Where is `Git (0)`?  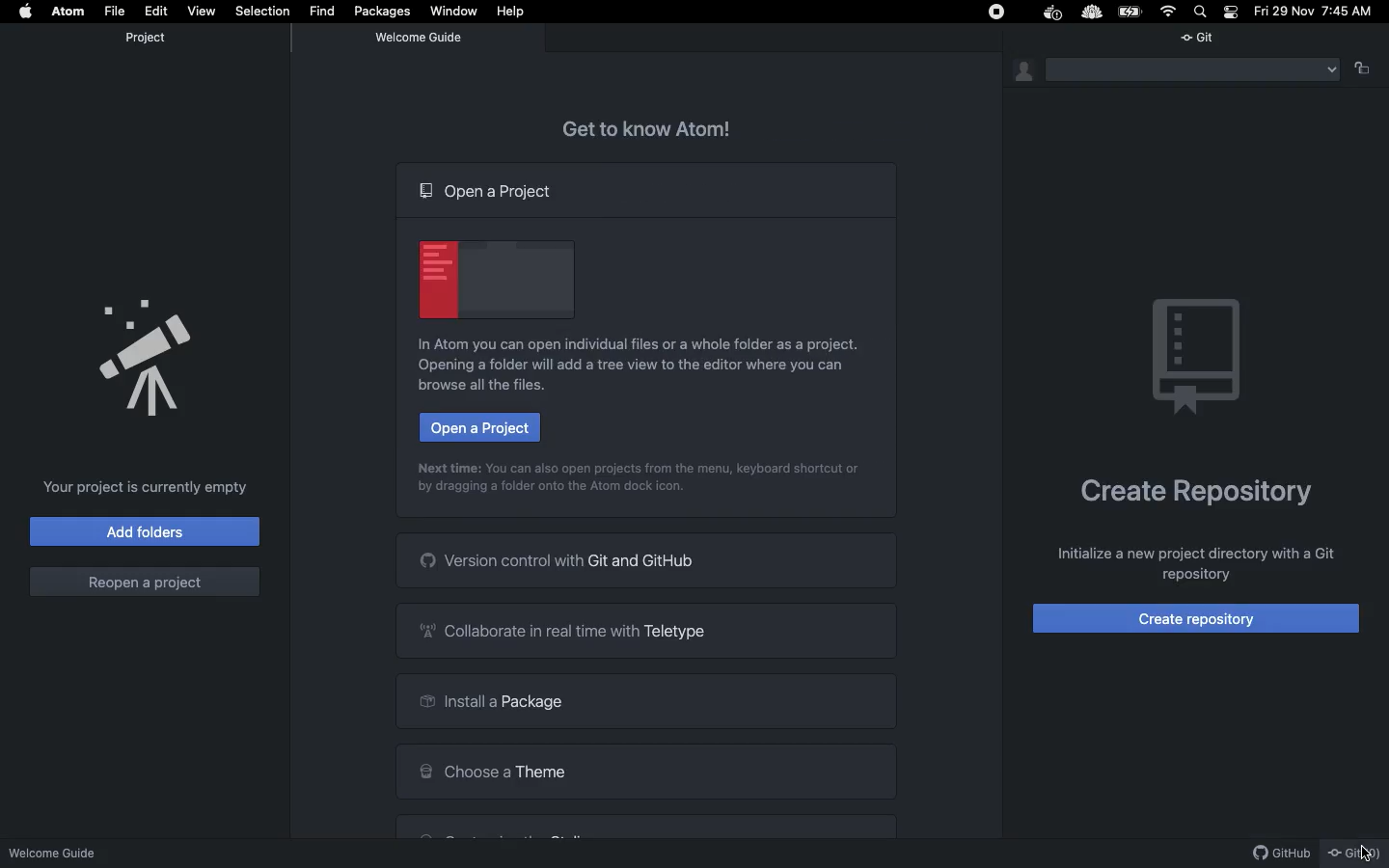
Git (0) is located at coordinates (1353, 852).